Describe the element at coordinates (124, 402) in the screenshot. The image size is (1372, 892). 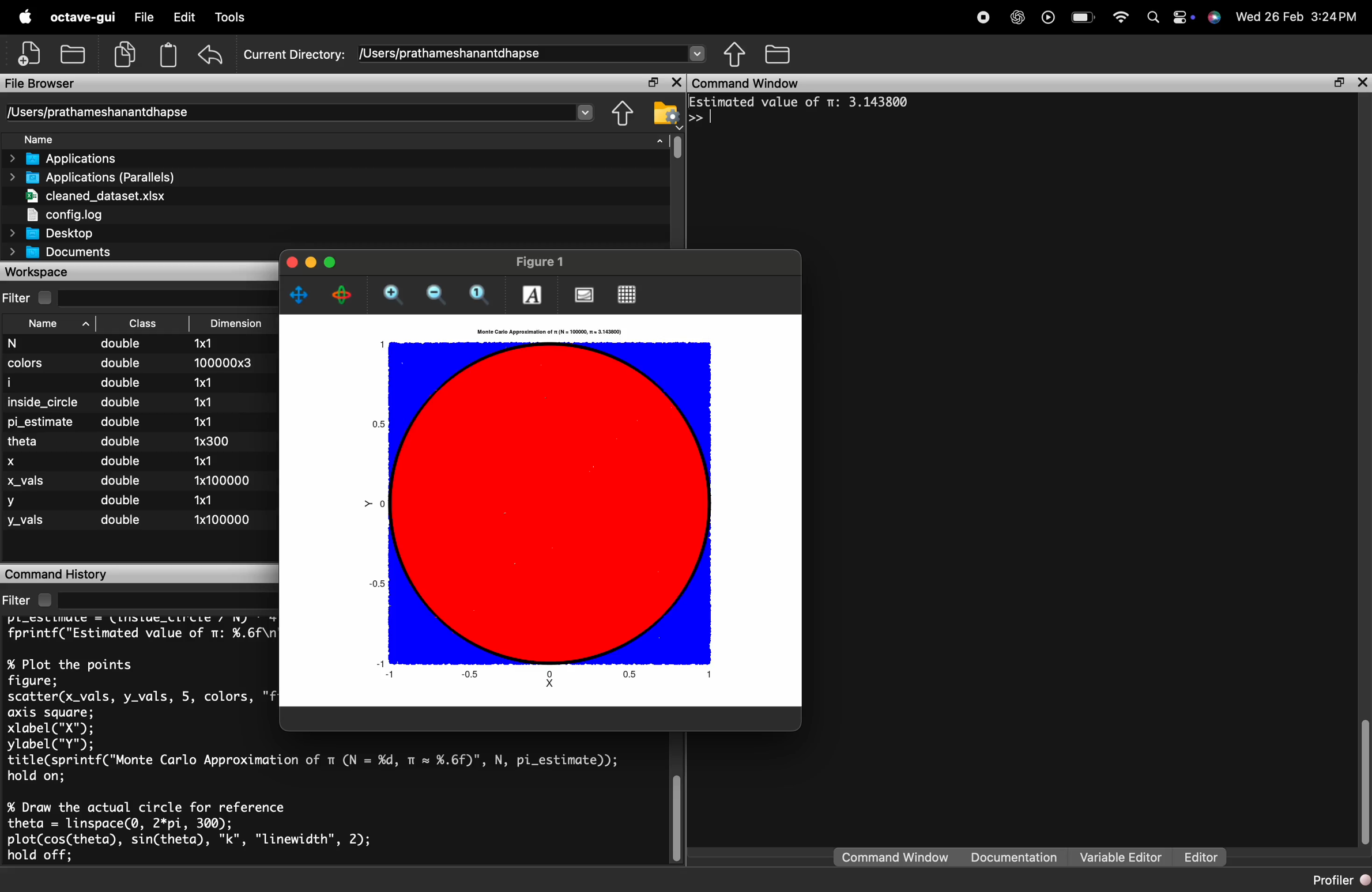
I see `double` at that location.